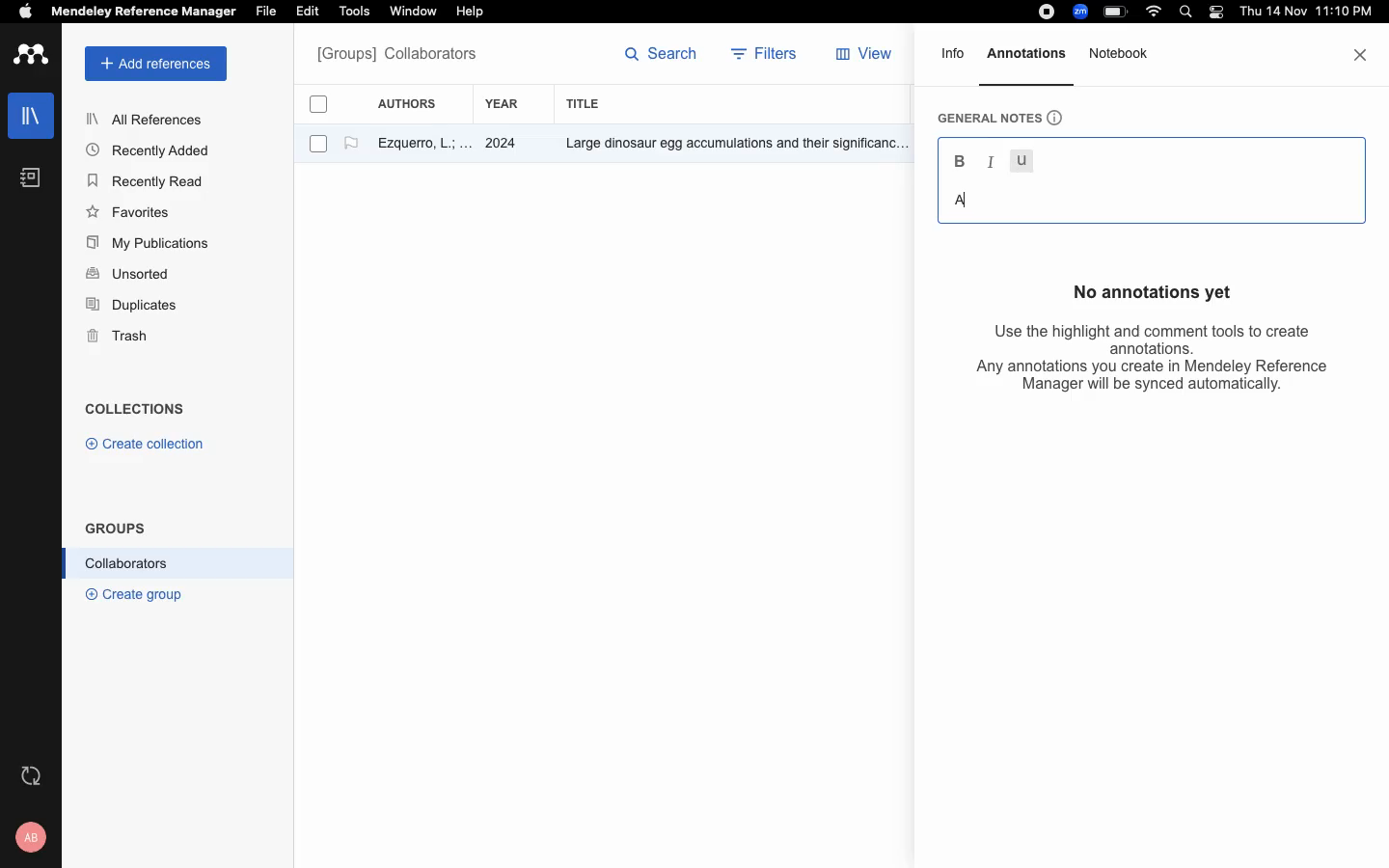  Describe the element at coordinates (144, 13) in the screenshot. I see `Mendeley Reference Manager` at that location.